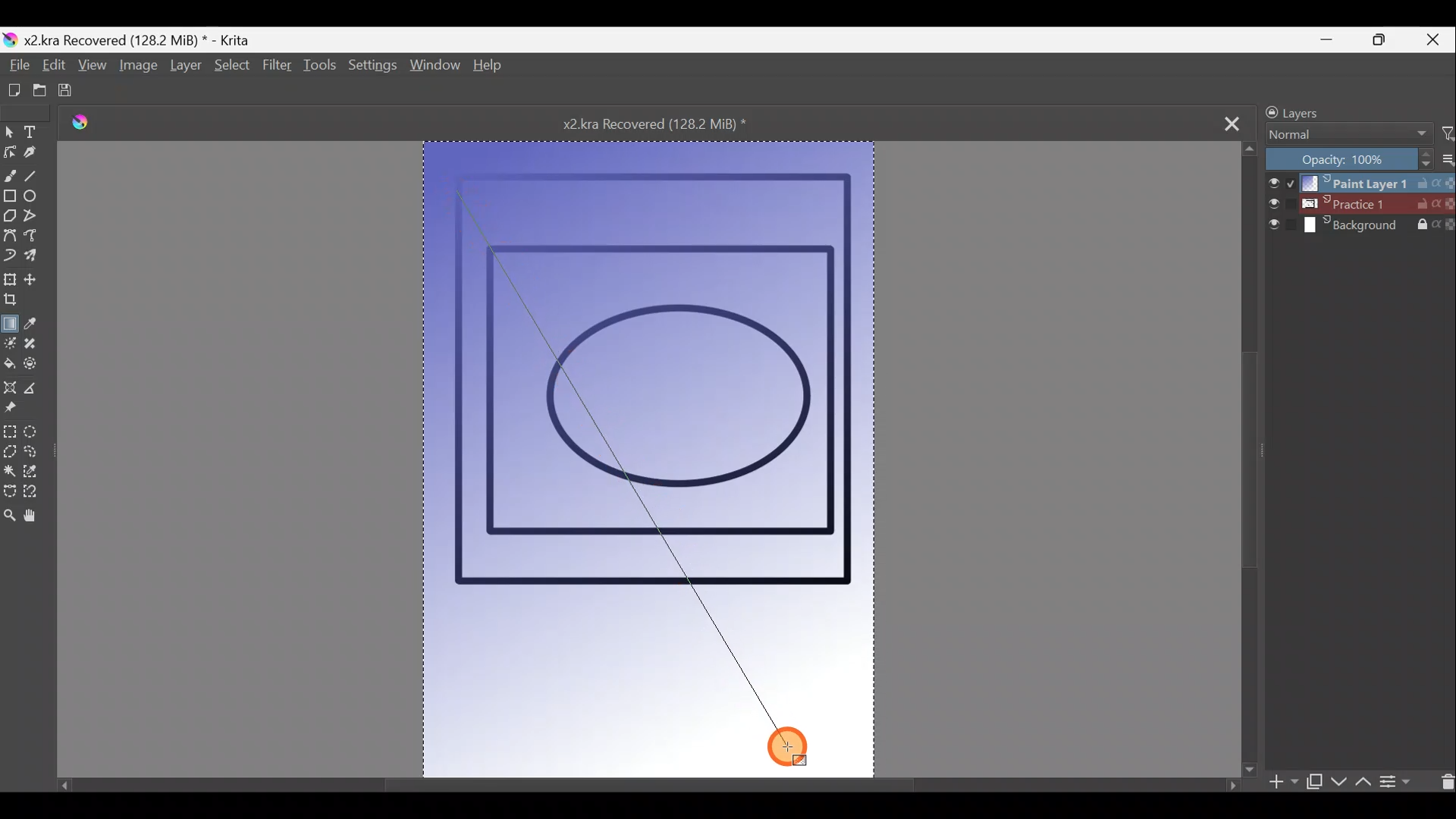  I want to click on Enclose & fill tool, so click(39, 367).